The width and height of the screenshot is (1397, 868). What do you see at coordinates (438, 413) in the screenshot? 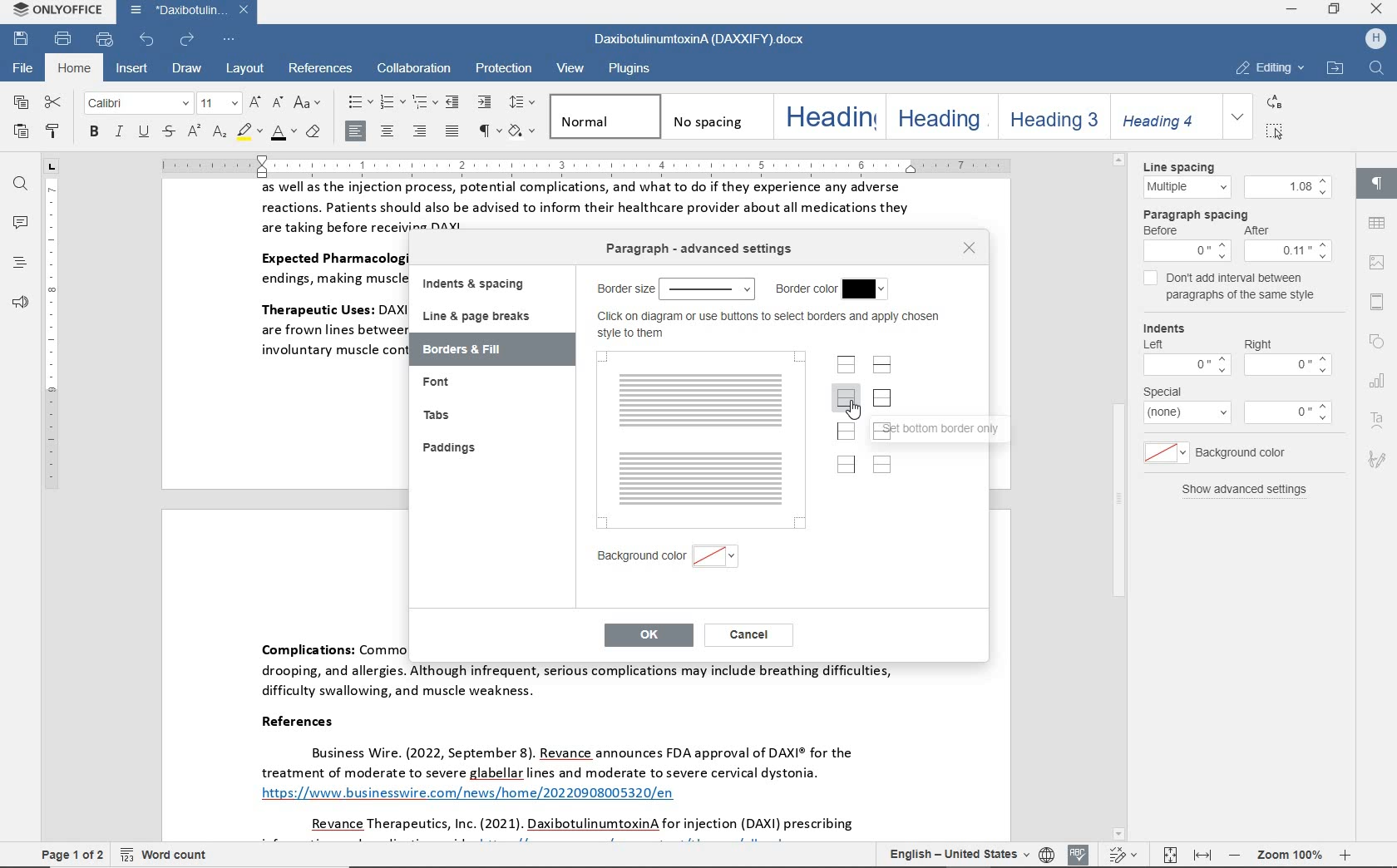
I see `tabs` at bounding box center [438, 413].